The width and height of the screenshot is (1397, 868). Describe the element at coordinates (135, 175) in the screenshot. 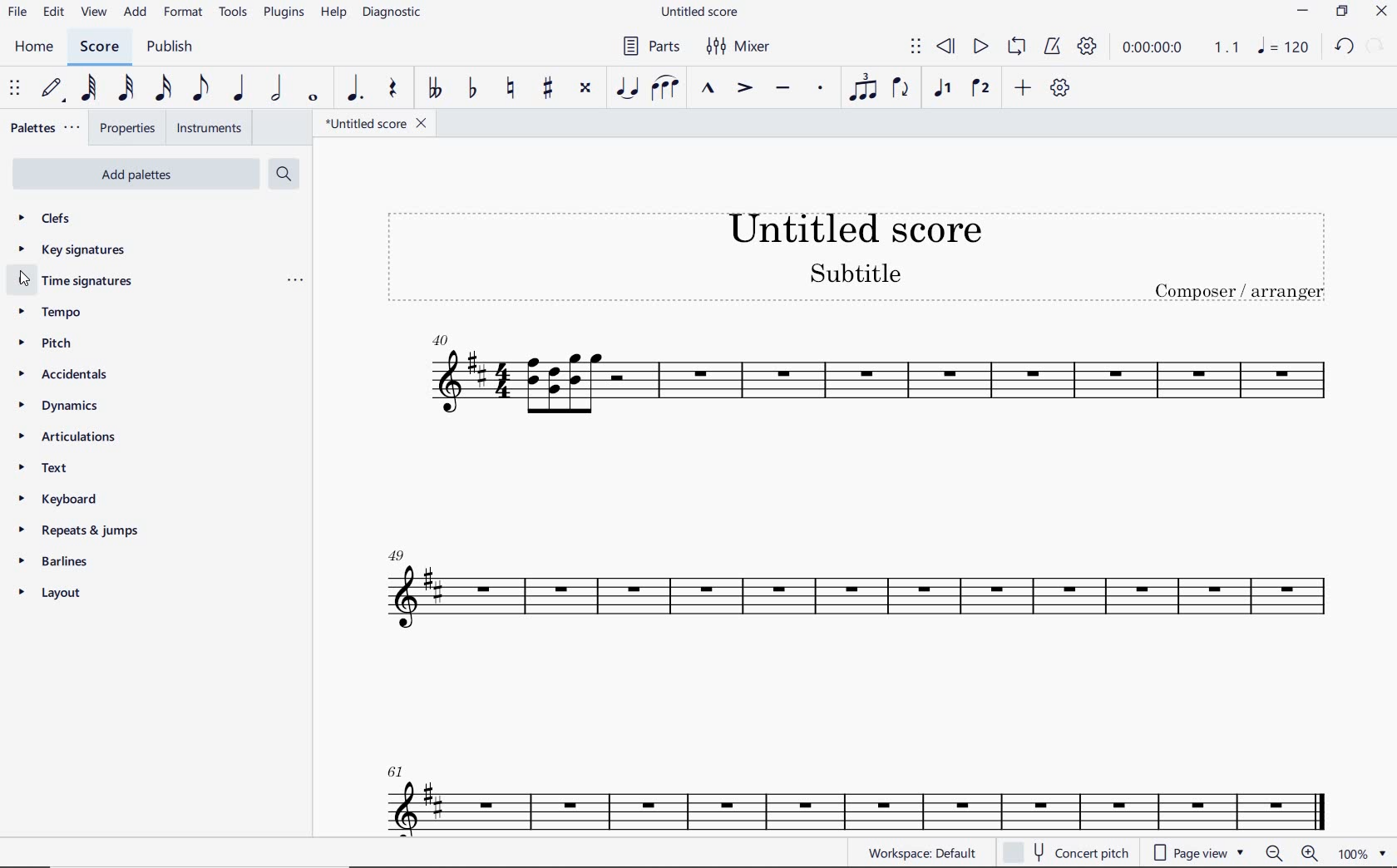

I see `ADD PALETTES` at that location.